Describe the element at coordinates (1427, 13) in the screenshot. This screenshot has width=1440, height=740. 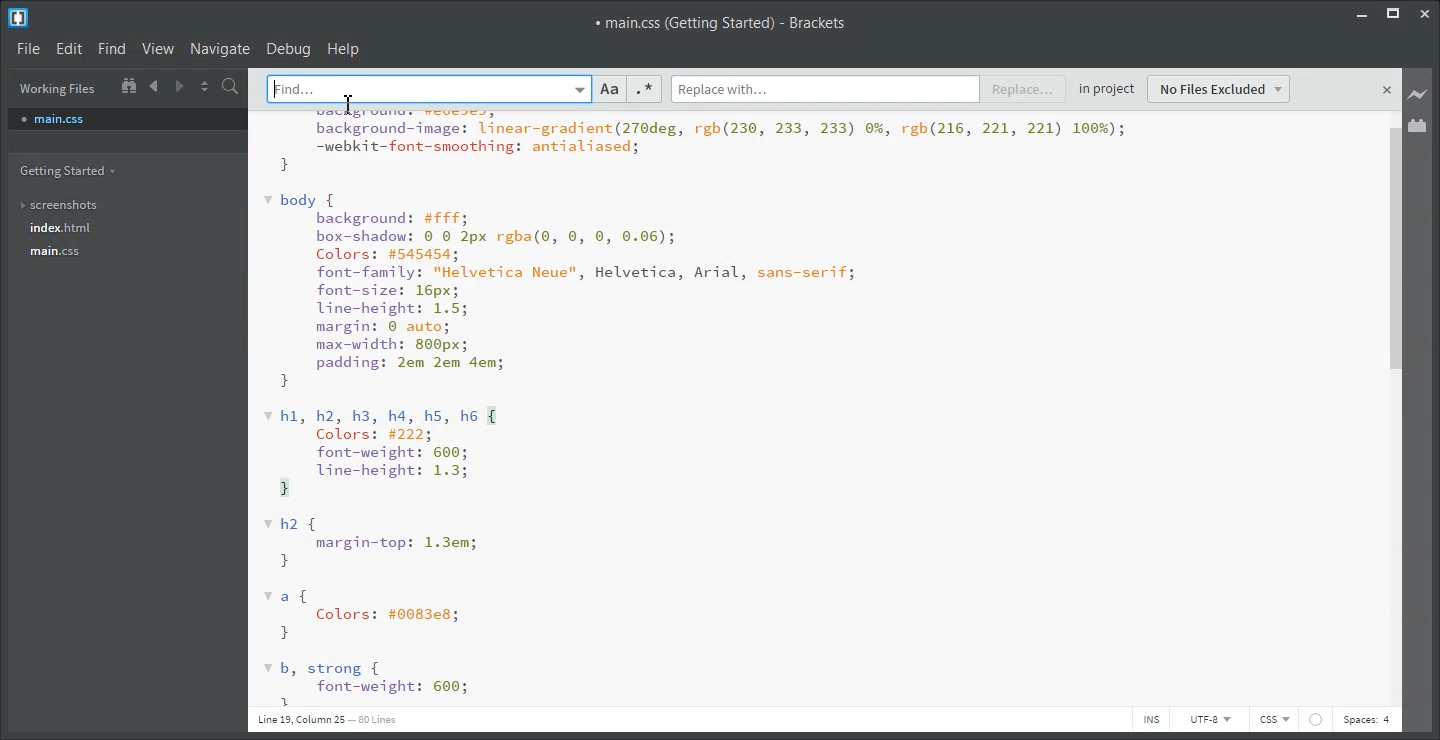
I see `Close` at that location.